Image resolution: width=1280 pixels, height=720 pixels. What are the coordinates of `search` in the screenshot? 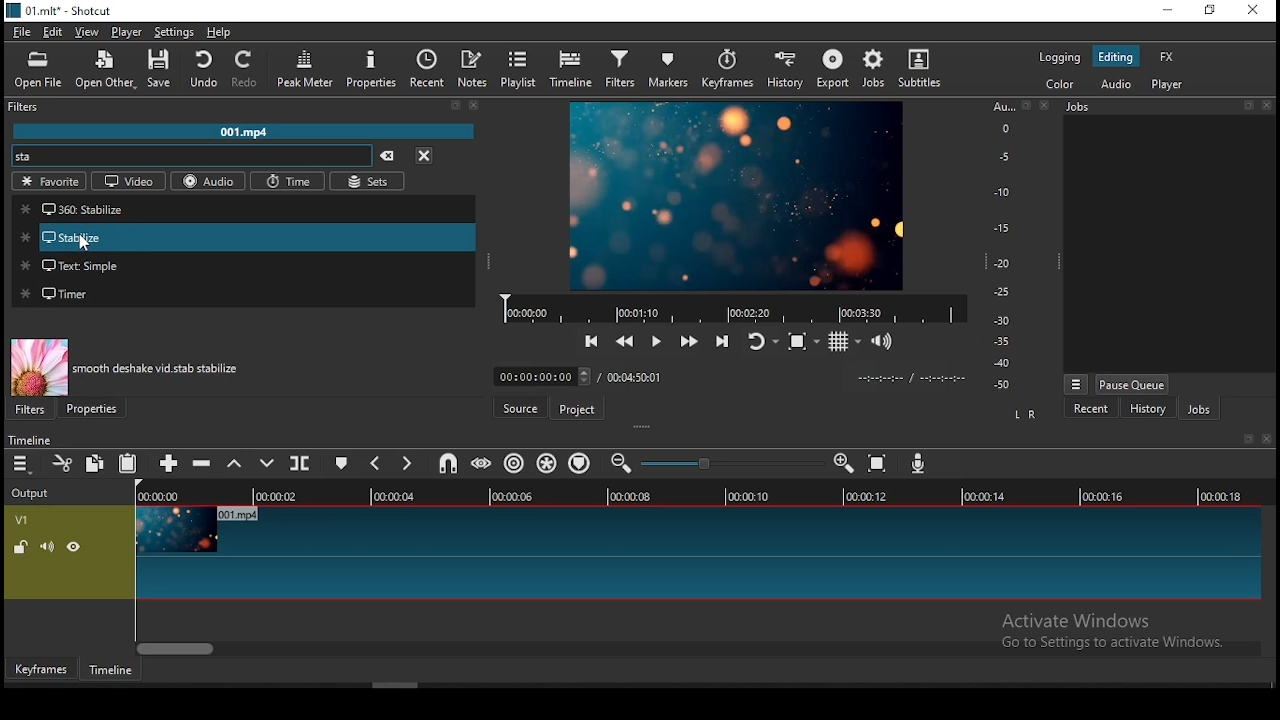 It's located at (191, 155).